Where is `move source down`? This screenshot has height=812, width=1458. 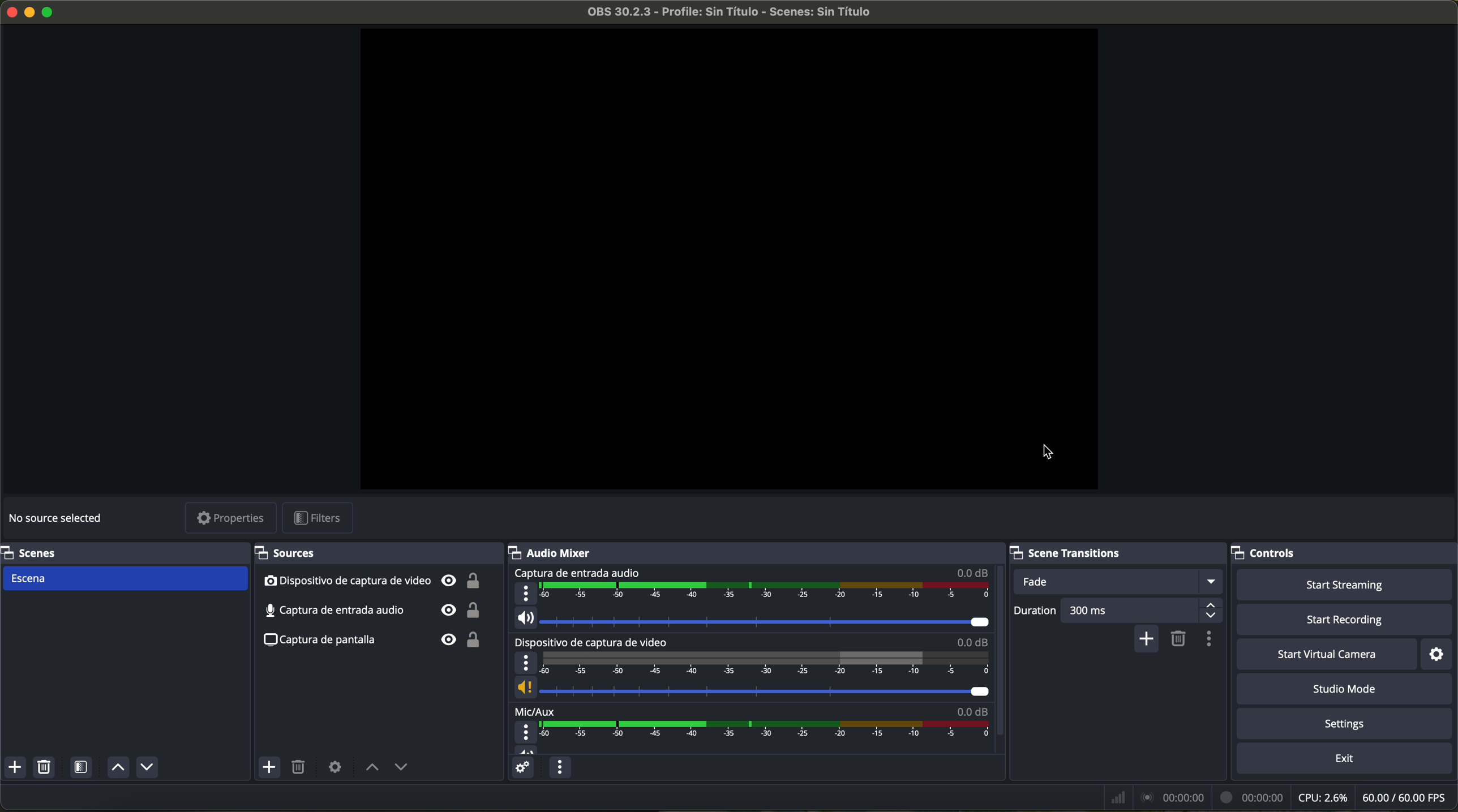
move source down is located at coordinates (401, 768).